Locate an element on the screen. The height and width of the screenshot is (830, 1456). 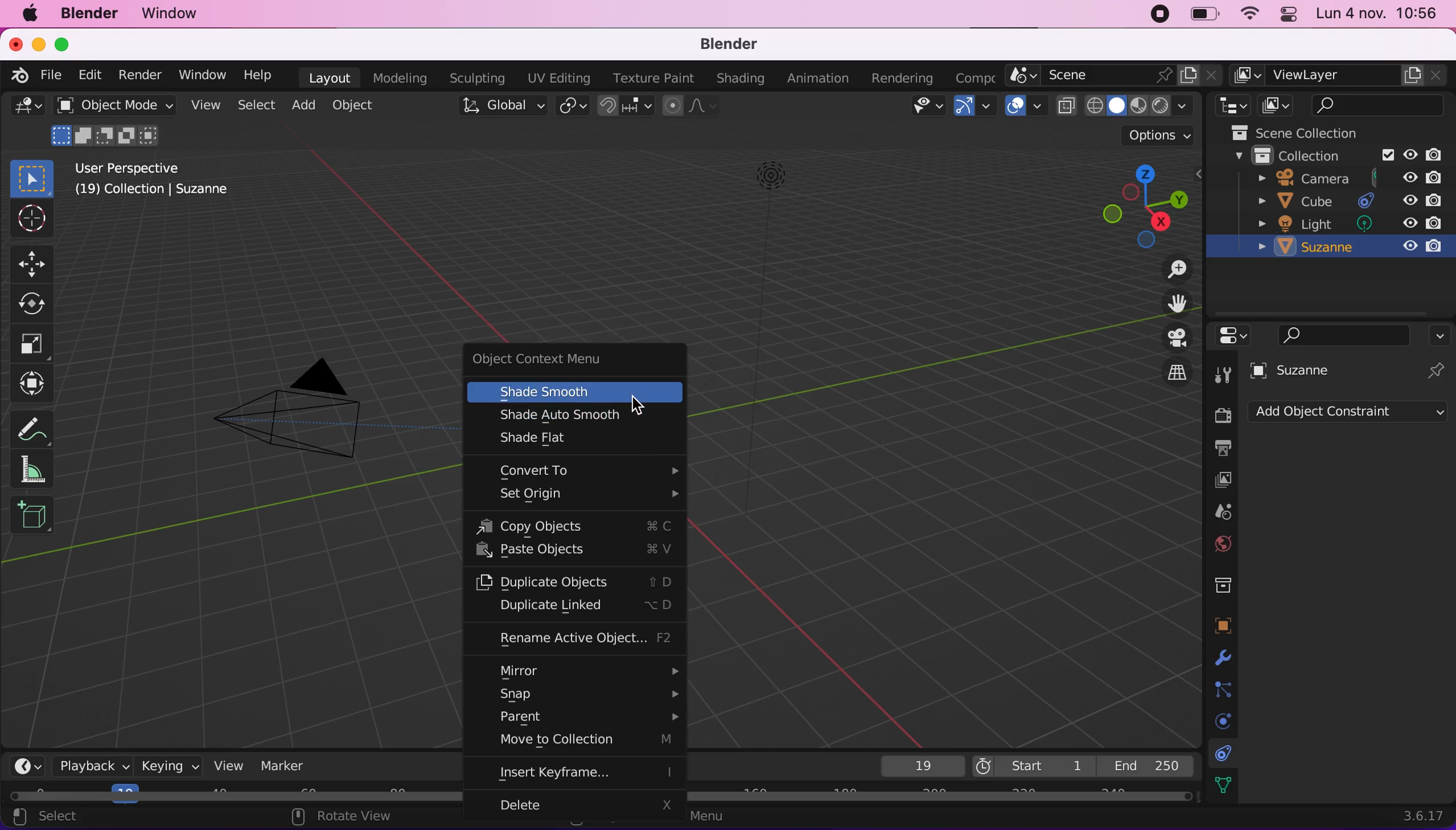
sculpting is located at coordinates (476, 78).